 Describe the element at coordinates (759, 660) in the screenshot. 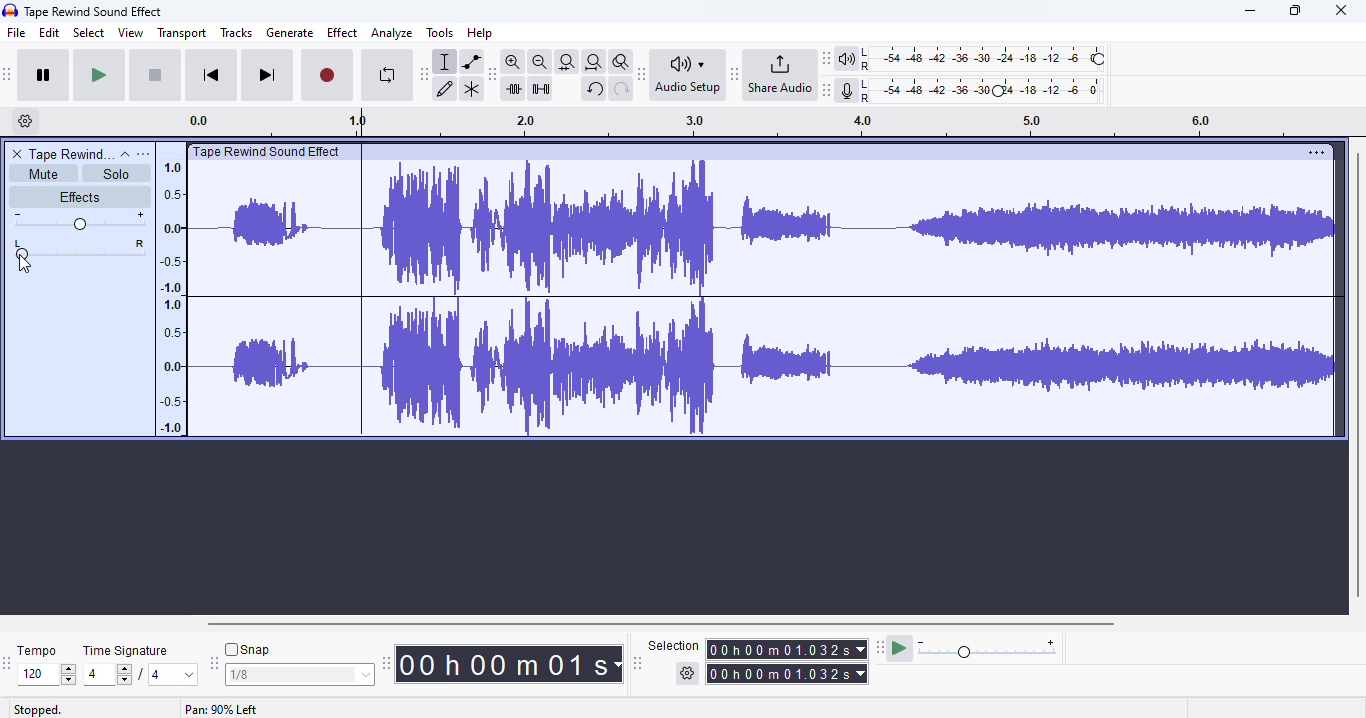

I see `selection` at that location.